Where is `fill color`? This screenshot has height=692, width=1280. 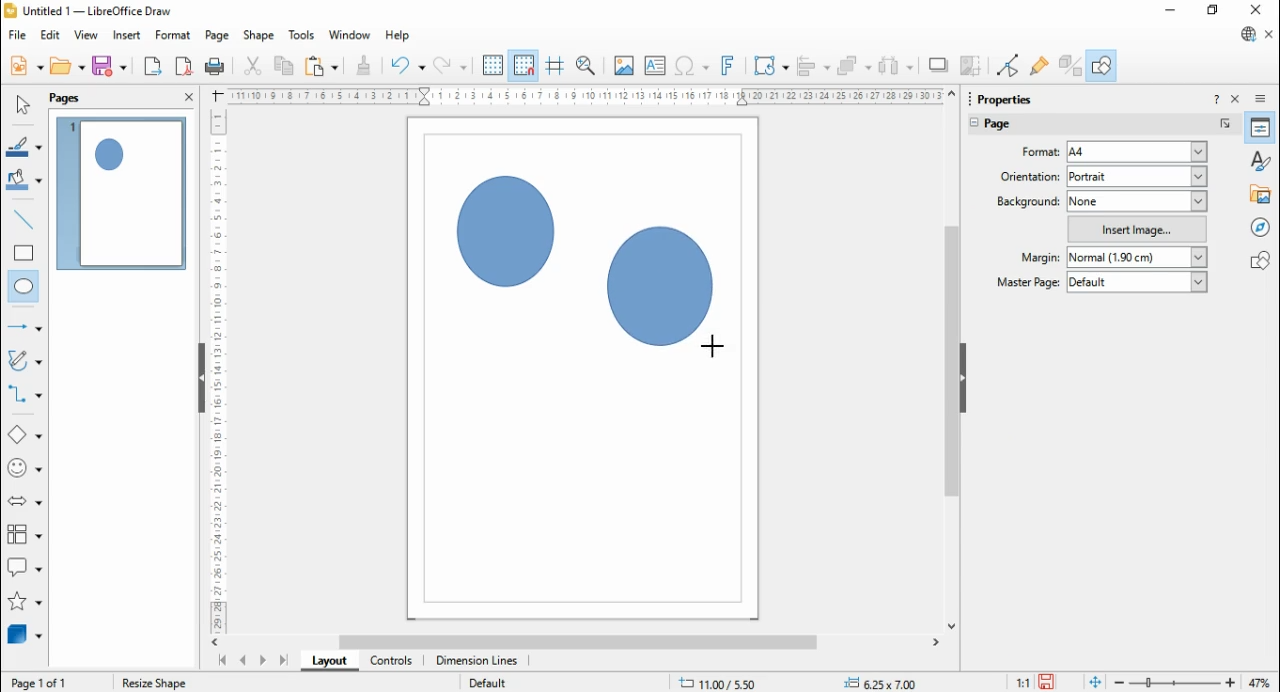 fill color is located at coordinates (25, 181).